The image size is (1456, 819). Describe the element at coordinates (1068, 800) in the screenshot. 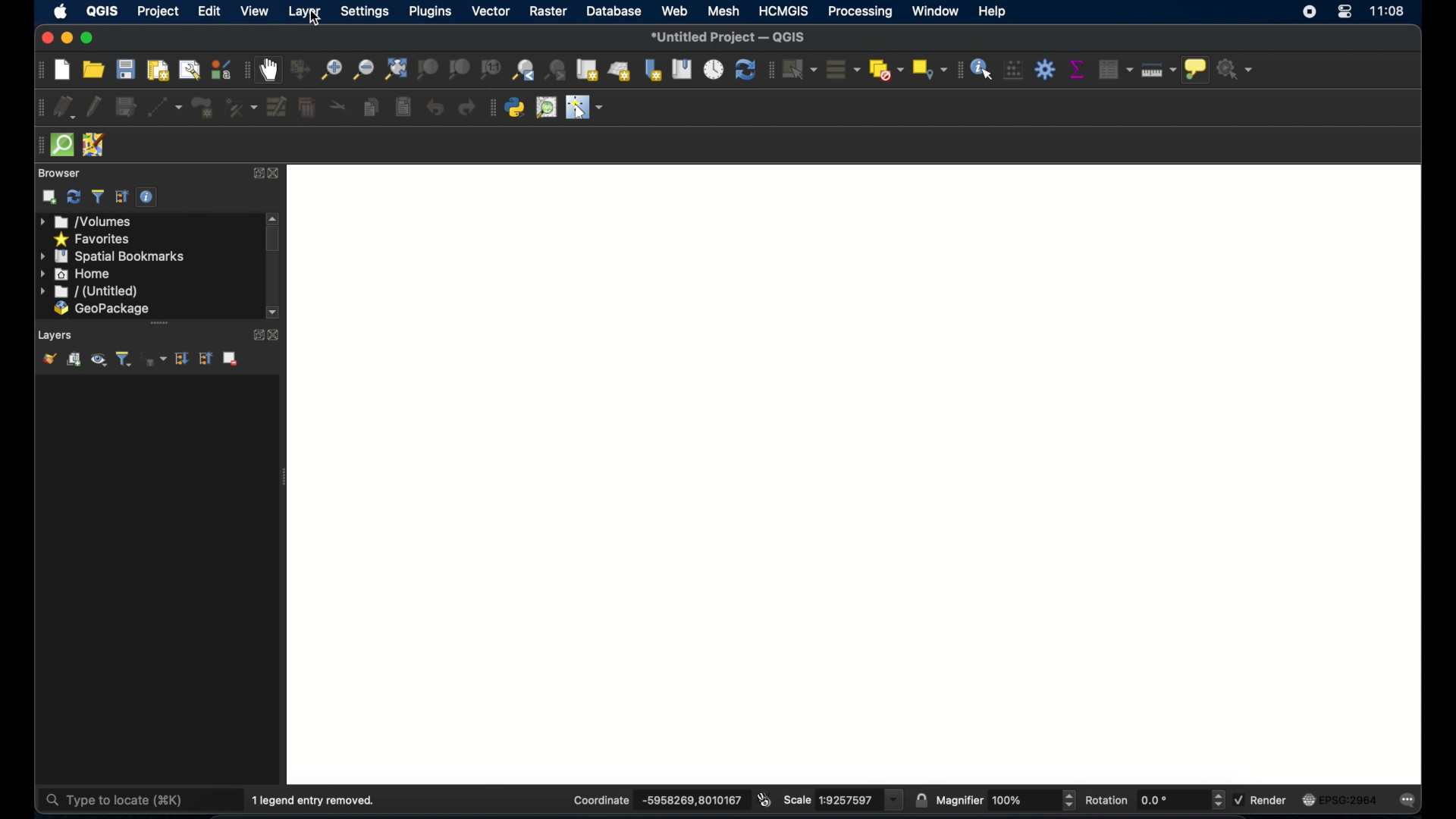

I see `Increase or decrease` at that location.